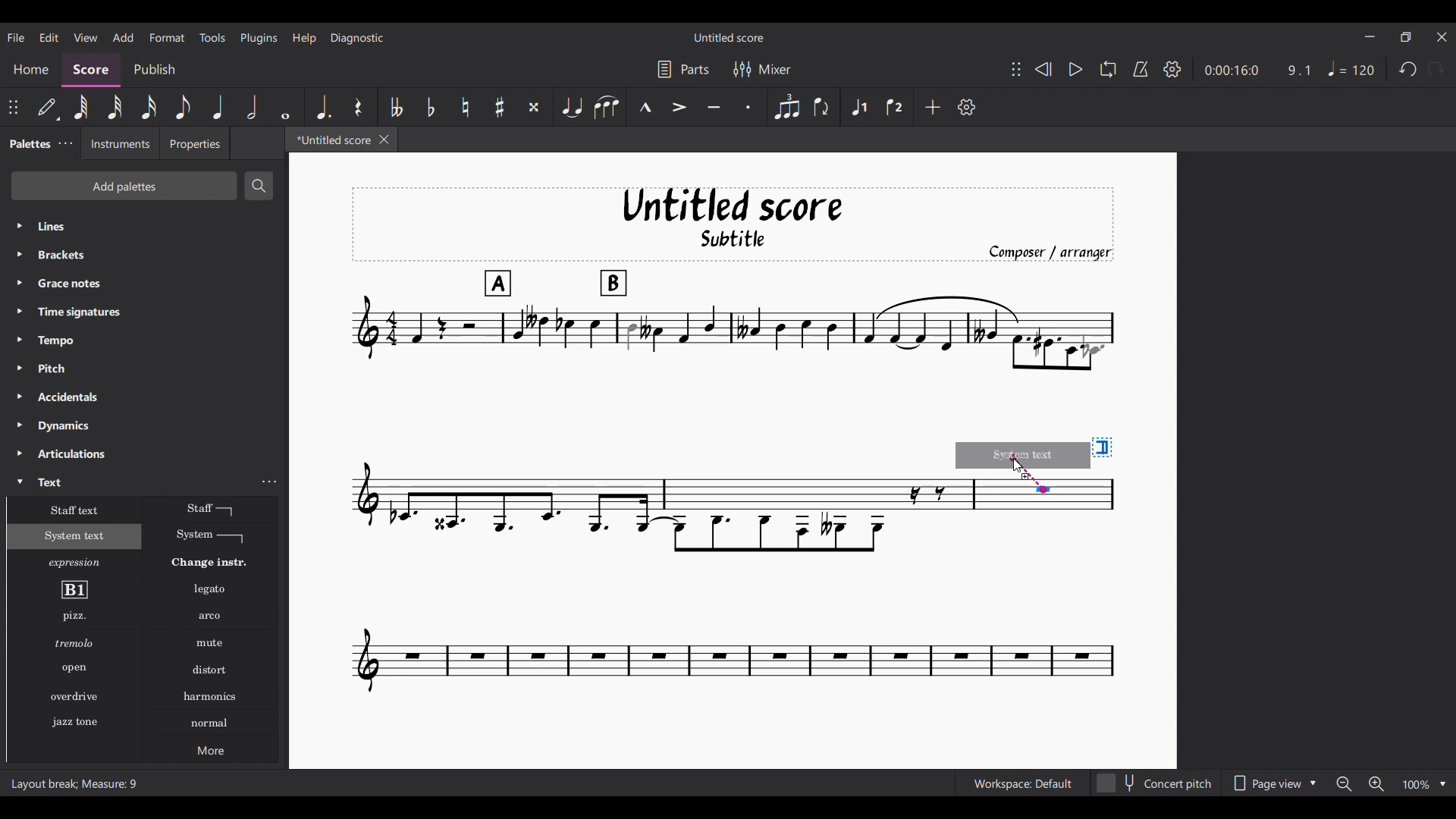  What do you see at coordinates (607, 107) in the screenshot?
I see `Slur` at bounding box center [607, 107].